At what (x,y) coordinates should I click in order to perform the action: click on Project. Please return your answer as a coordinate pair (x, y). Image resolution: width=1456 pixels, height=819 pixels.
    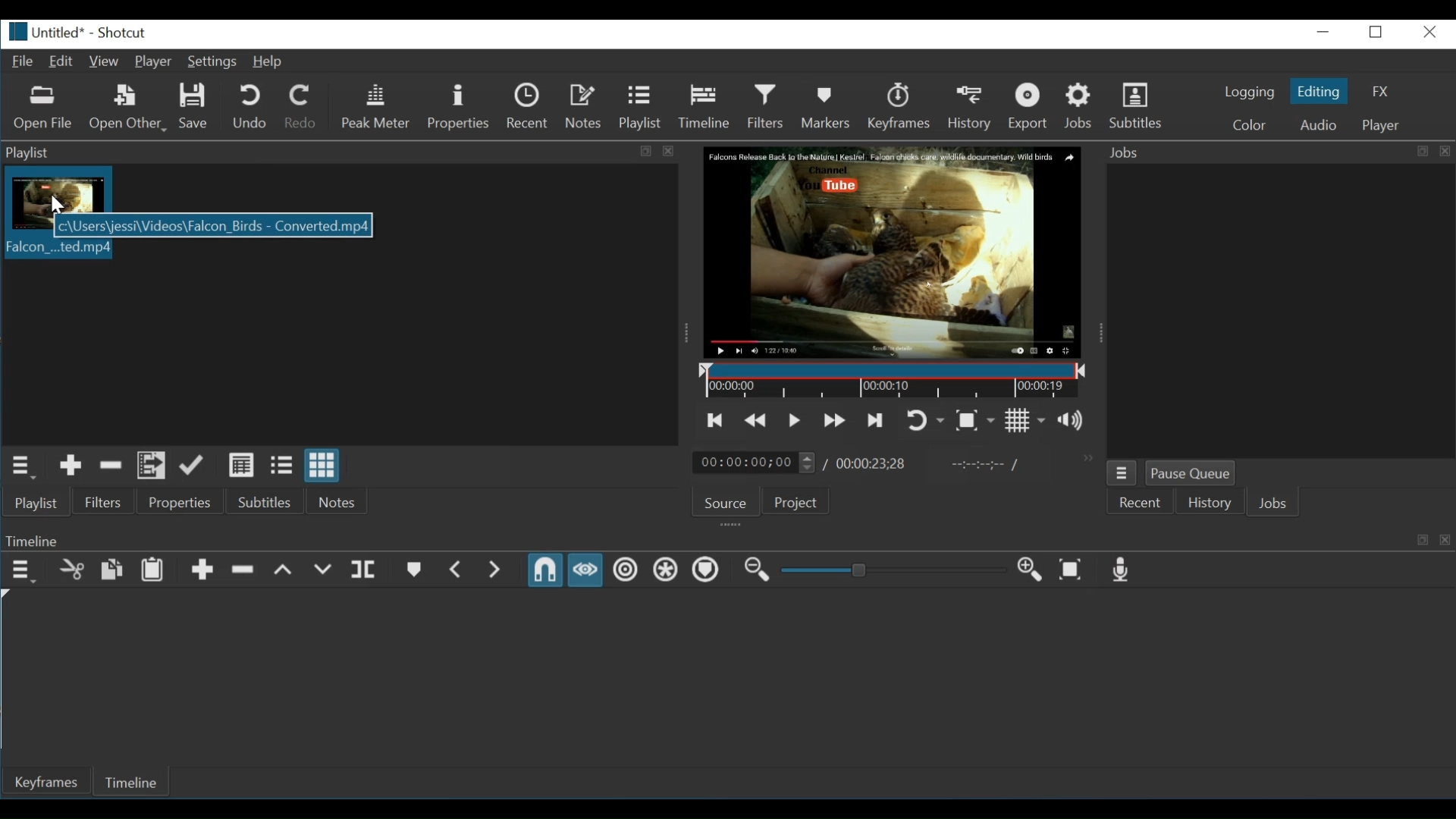
    Looking at the image, I should click on (799, 502).